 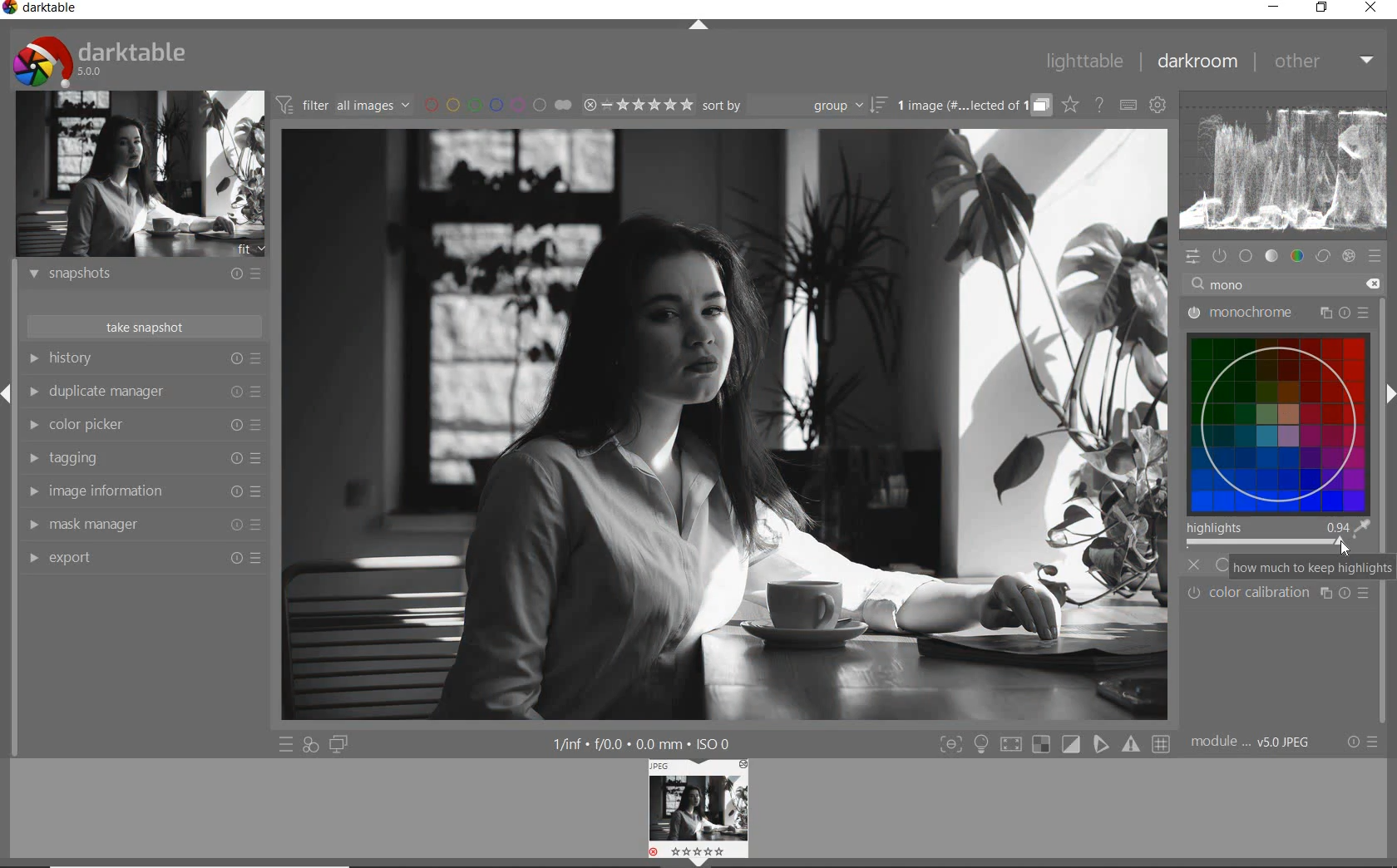 I want to click on pick color from image, so click(x=1362, y=528).